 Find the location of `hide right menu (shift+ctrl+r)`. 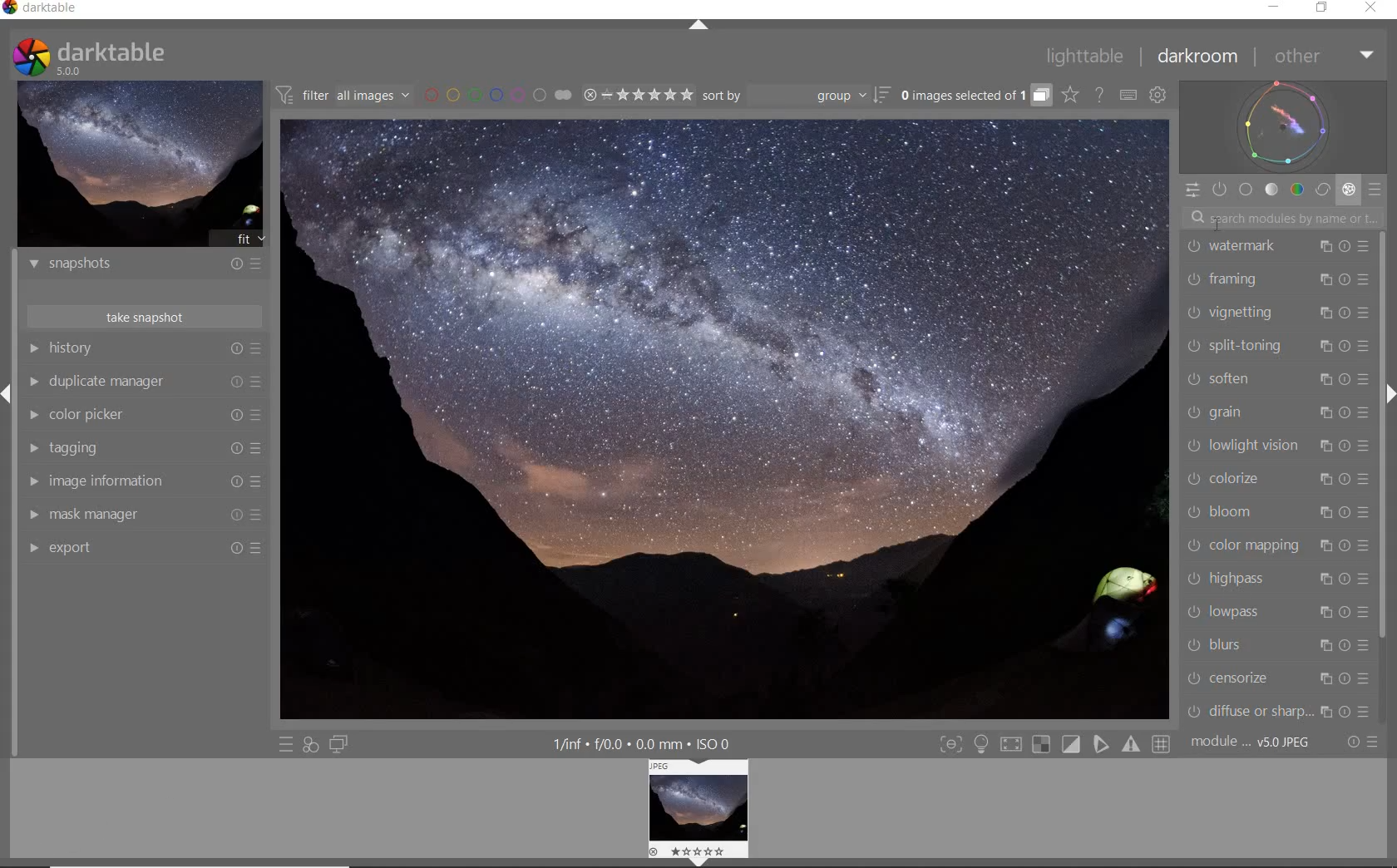

hide right menu (shift+ctrl+r) is located at coordinates (1389, 394).